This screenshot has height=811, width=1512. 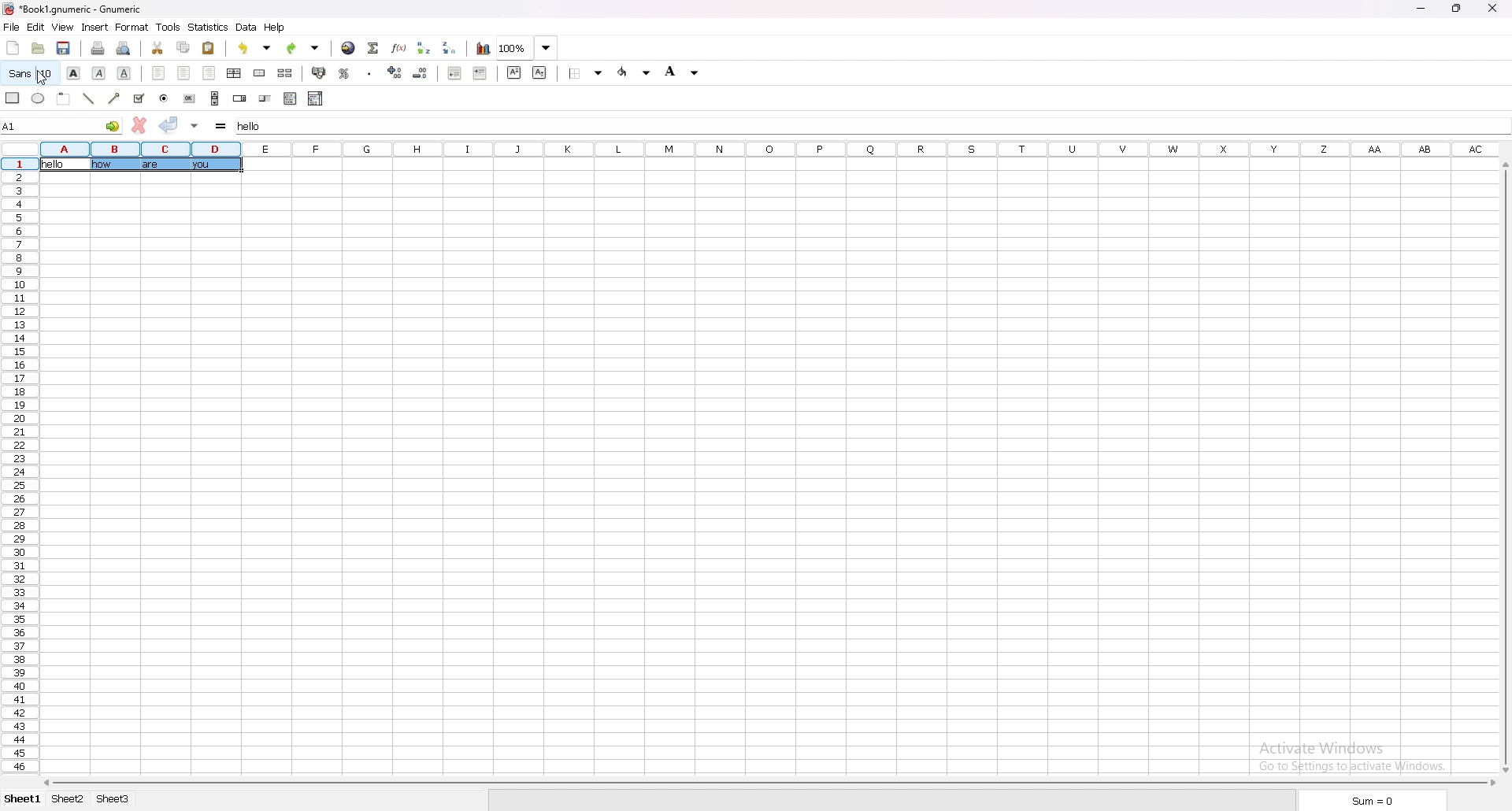 I want to click on hyperlink, so click(x=349, y=47).